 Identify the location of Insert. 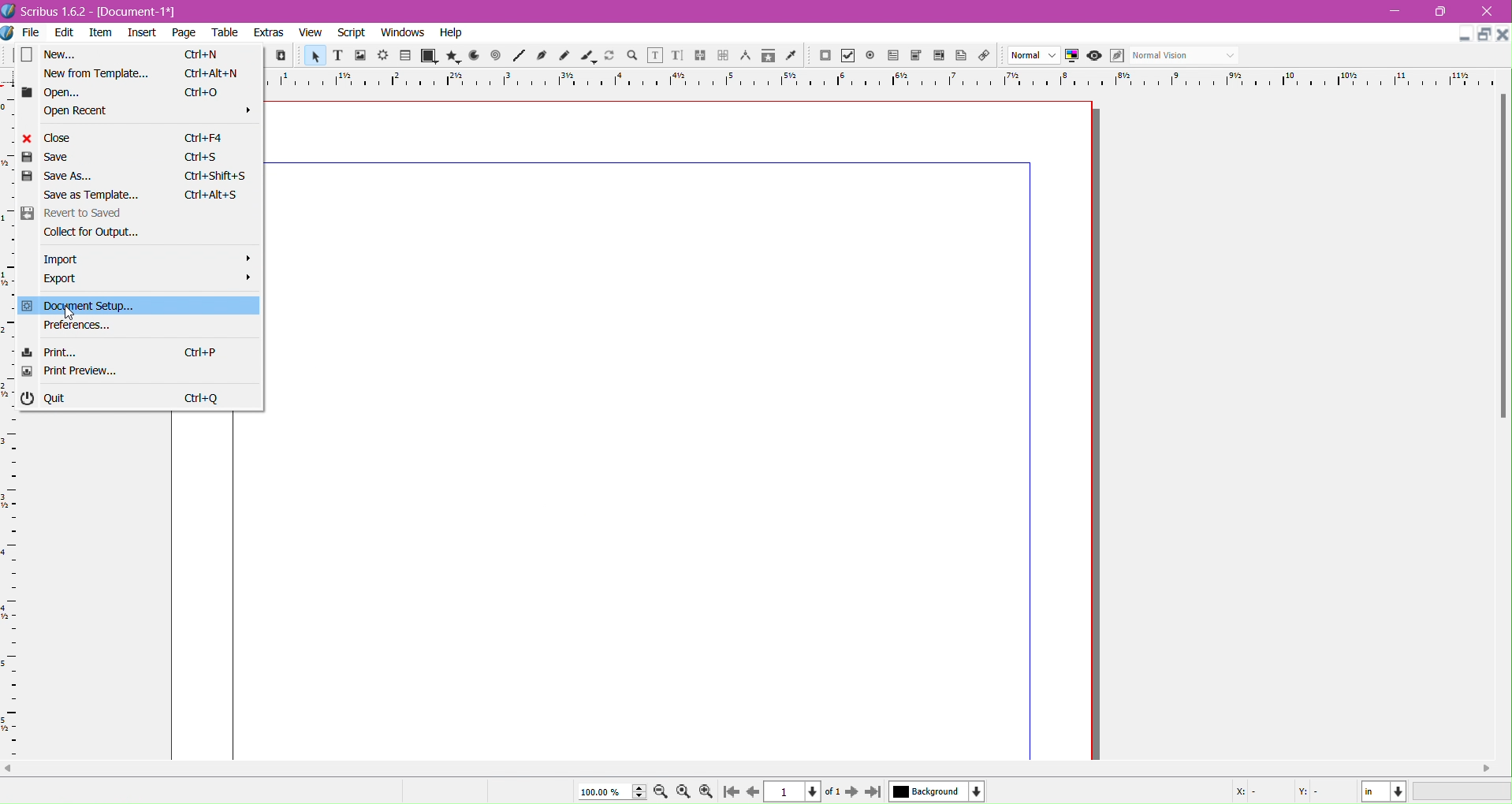
(143, 35).